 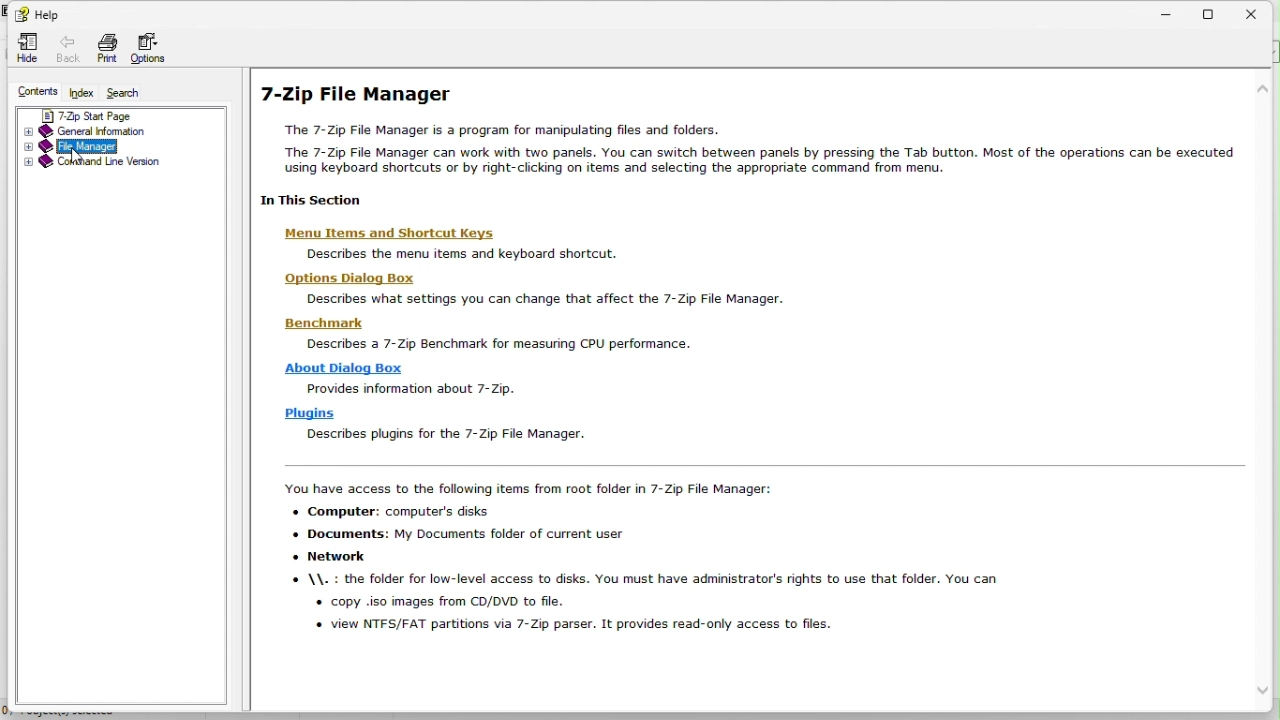 I want to click on Minimize, so click(x=1172, y=10).